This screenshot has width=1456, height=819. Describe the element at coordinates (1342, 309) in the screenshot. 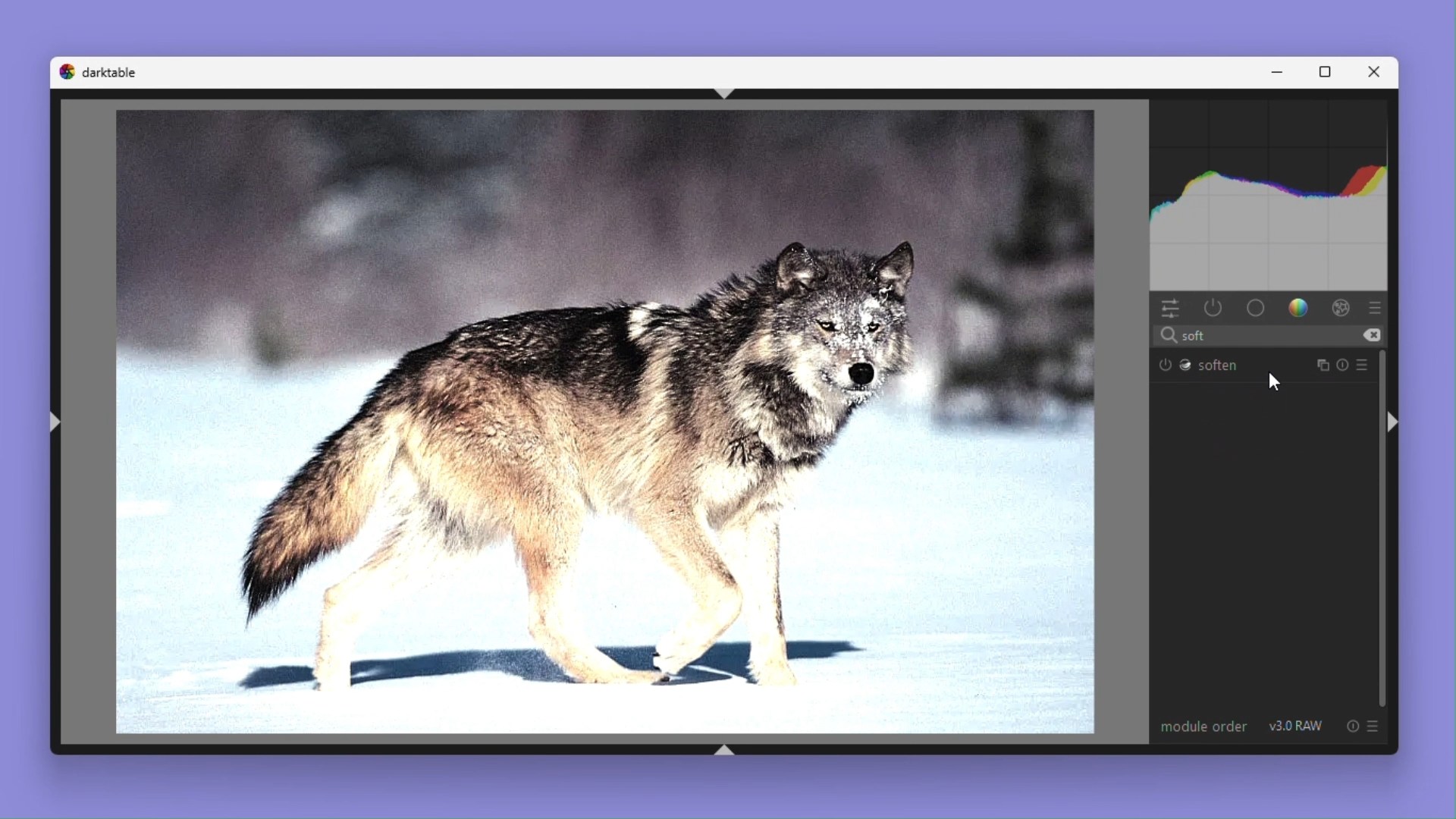

I see `Effect` at that location.